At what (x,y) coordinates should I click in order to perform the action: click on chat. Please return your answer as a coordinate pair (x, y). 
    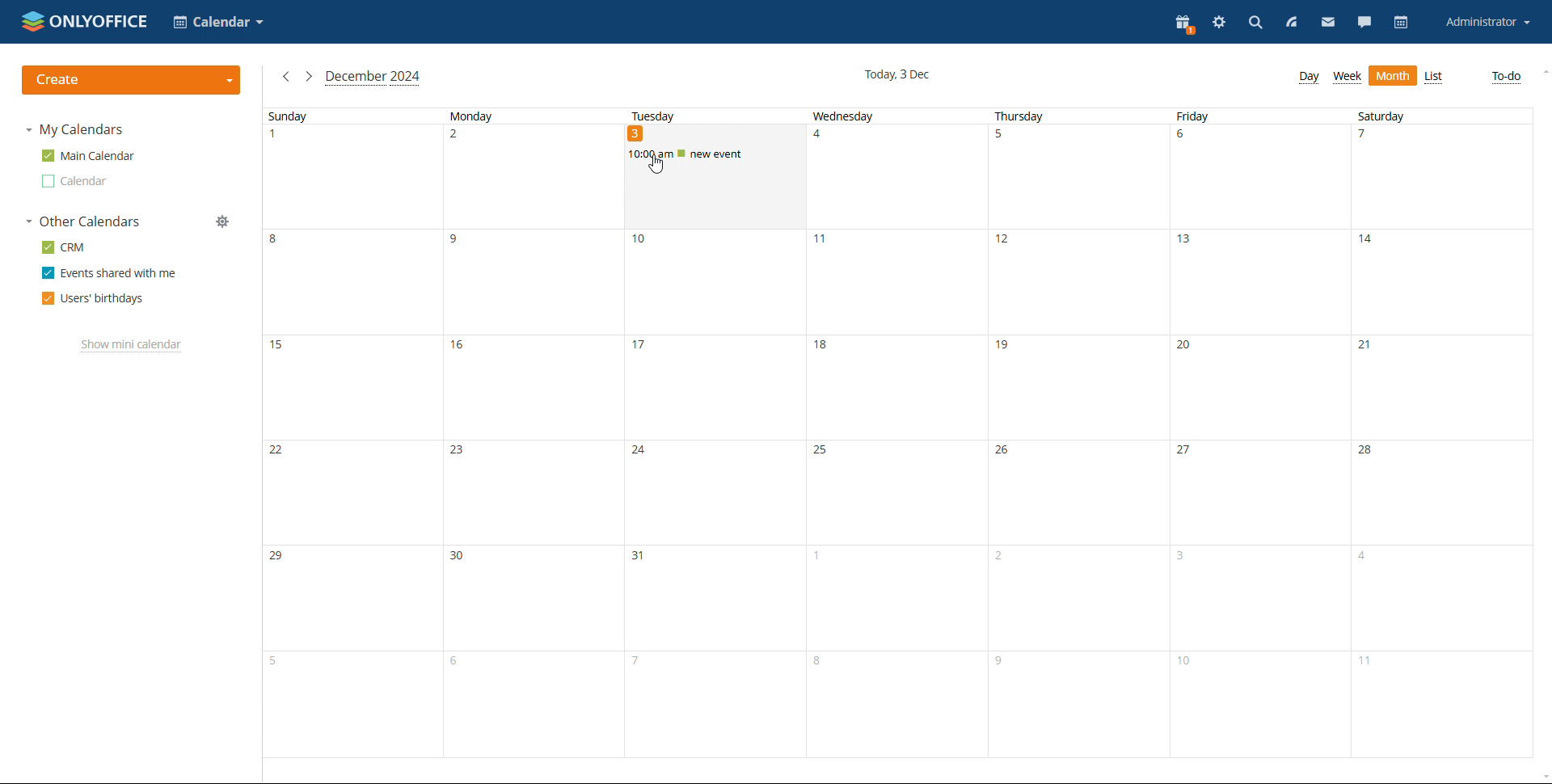
    Looking at the image, I should click on (1364, 22).